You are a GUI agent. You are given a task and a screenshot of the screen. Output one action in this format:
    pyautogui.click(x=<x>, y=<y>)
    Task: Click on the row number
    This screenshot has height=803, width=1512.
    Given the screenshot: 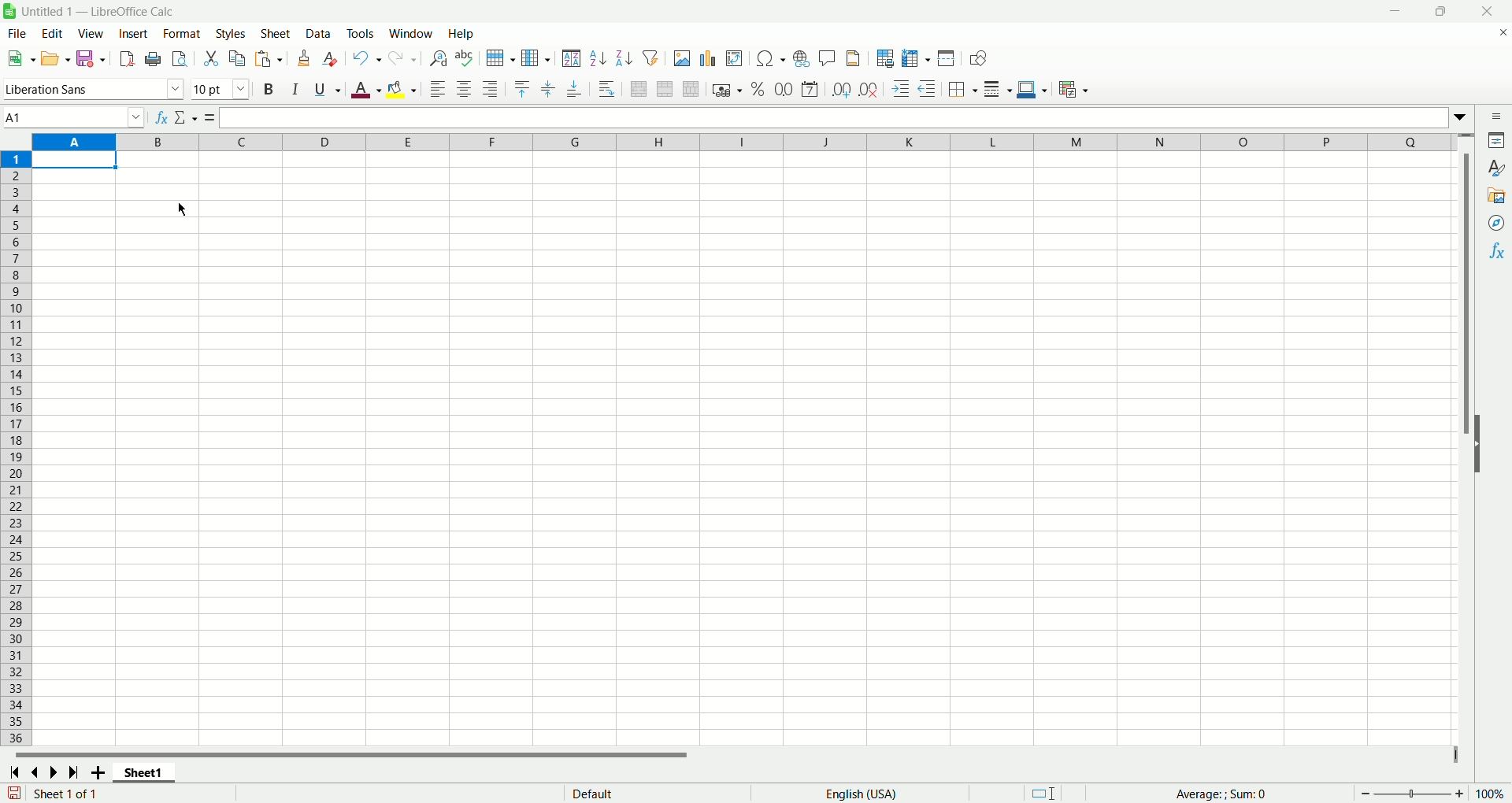 What is the action you would take?
    pyautogui.click(x=17, y=449)
    